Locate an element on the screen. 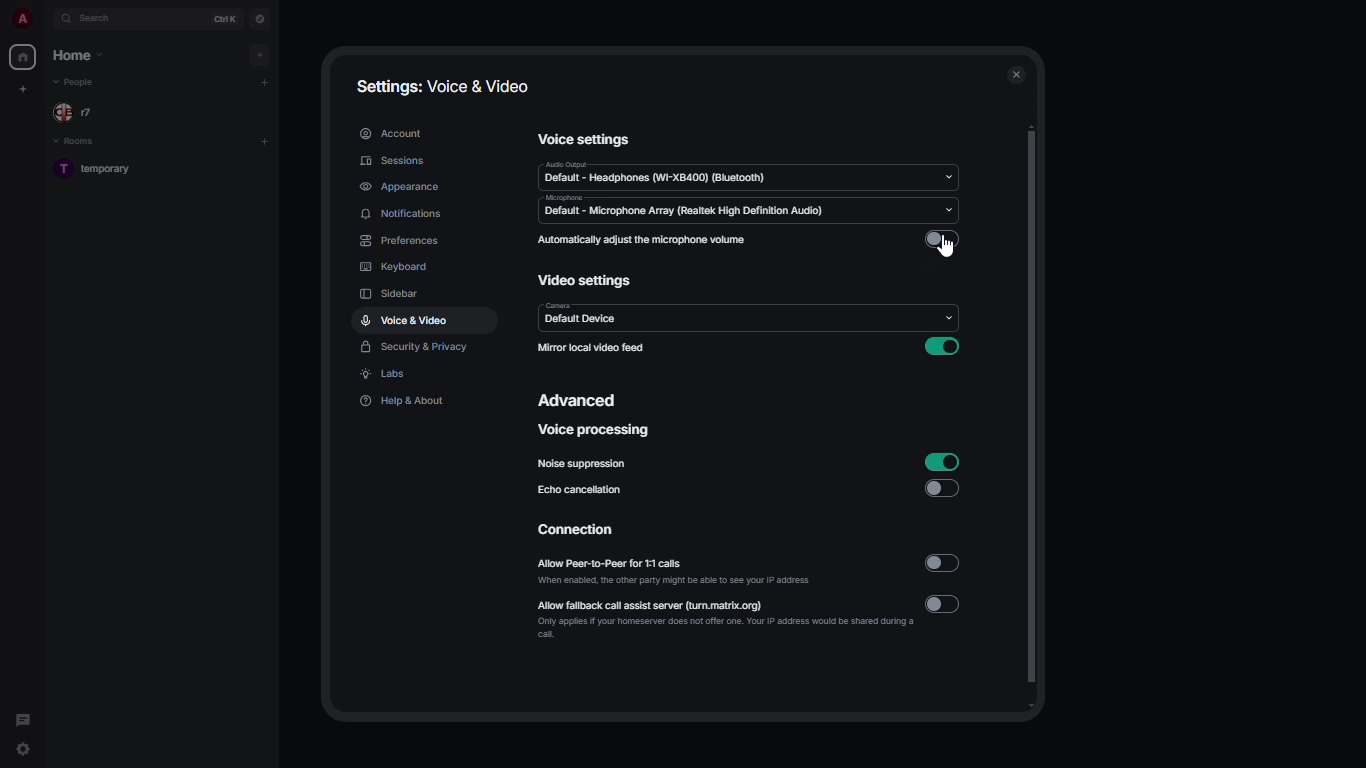  settings: voice & video is located at coordinates (443, 87).